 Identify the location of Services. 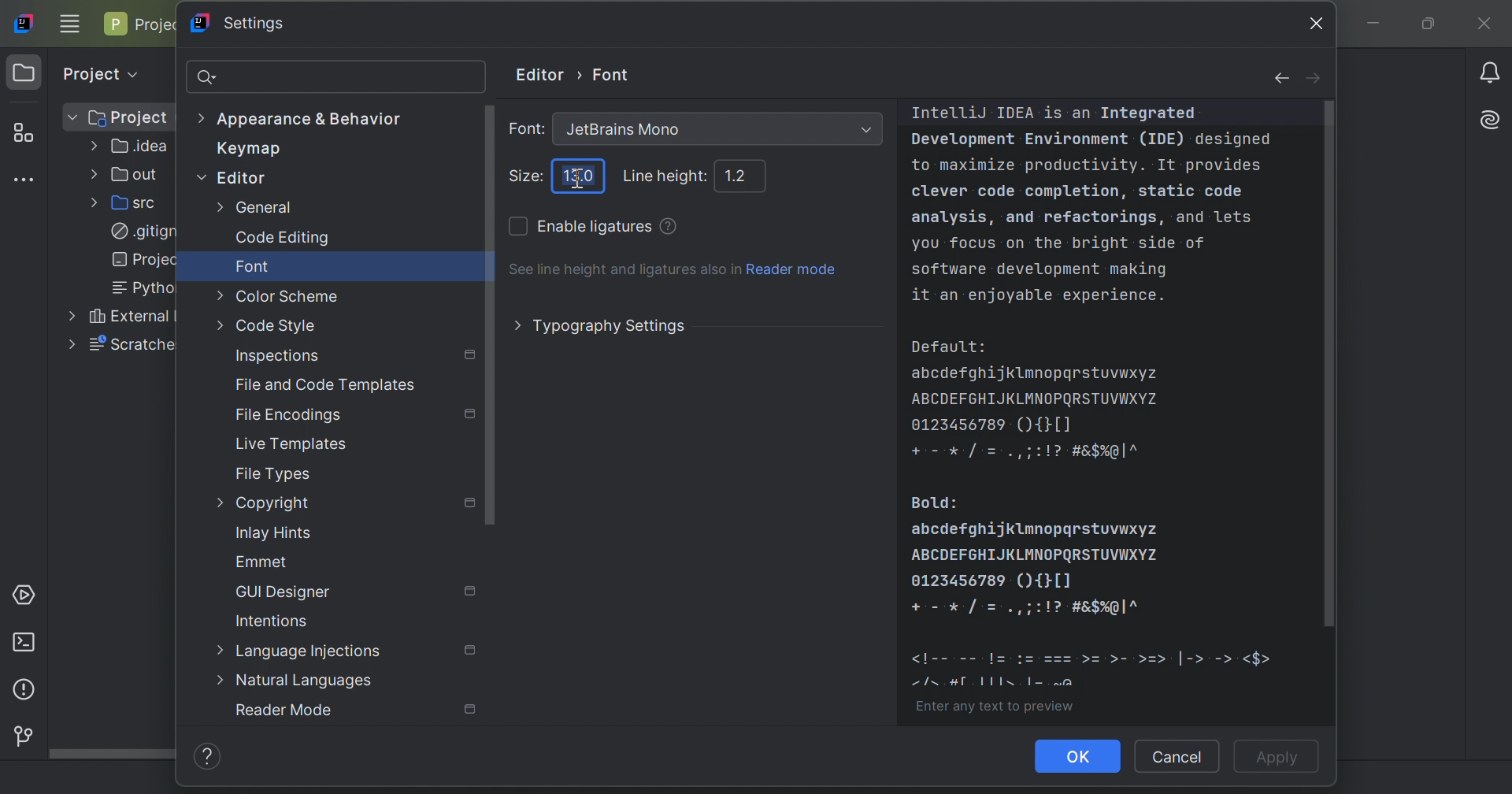
(28, 593).